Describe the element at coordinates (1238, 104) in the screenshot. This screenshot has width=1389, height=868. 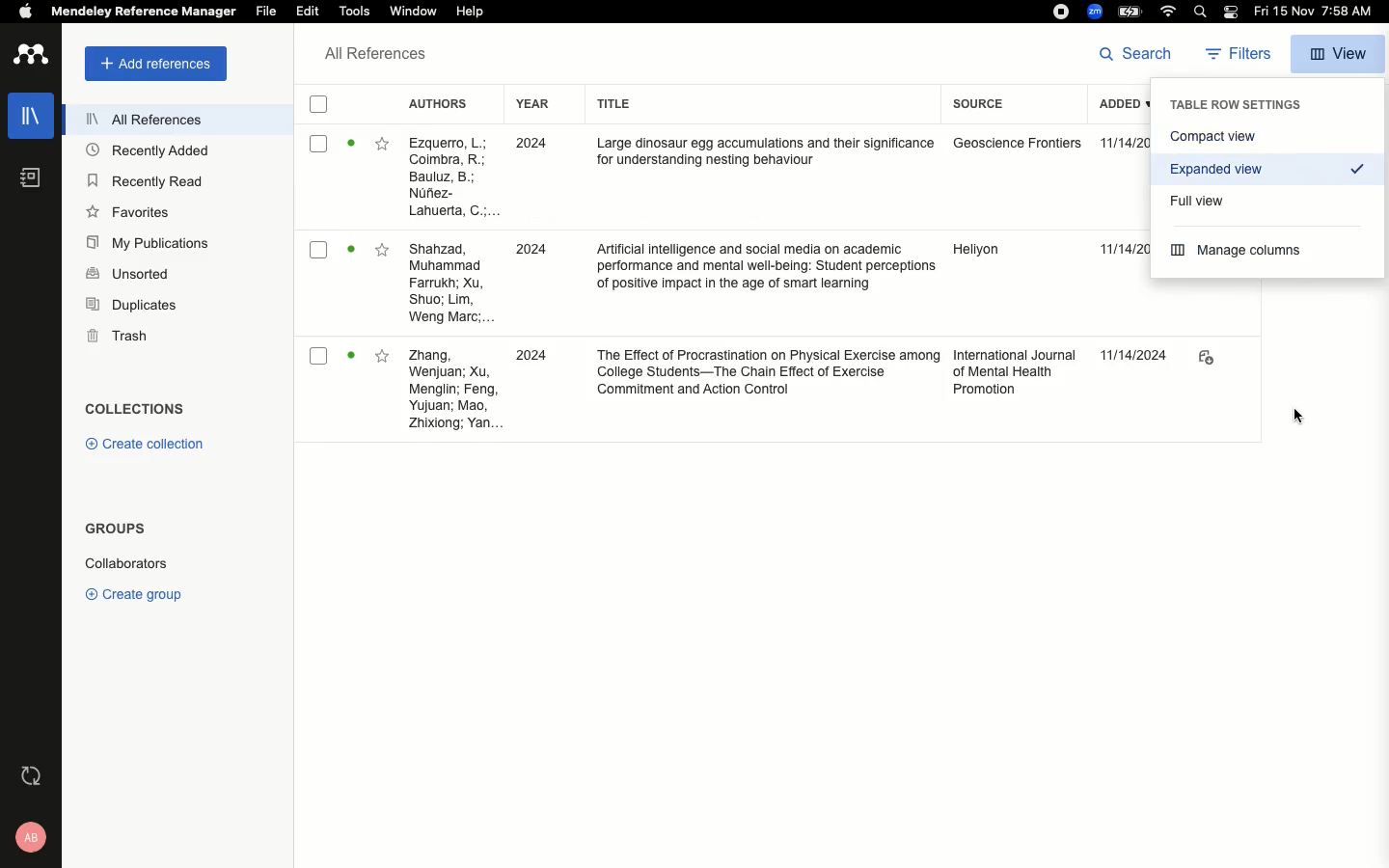
I see `Table row settings` at that location.